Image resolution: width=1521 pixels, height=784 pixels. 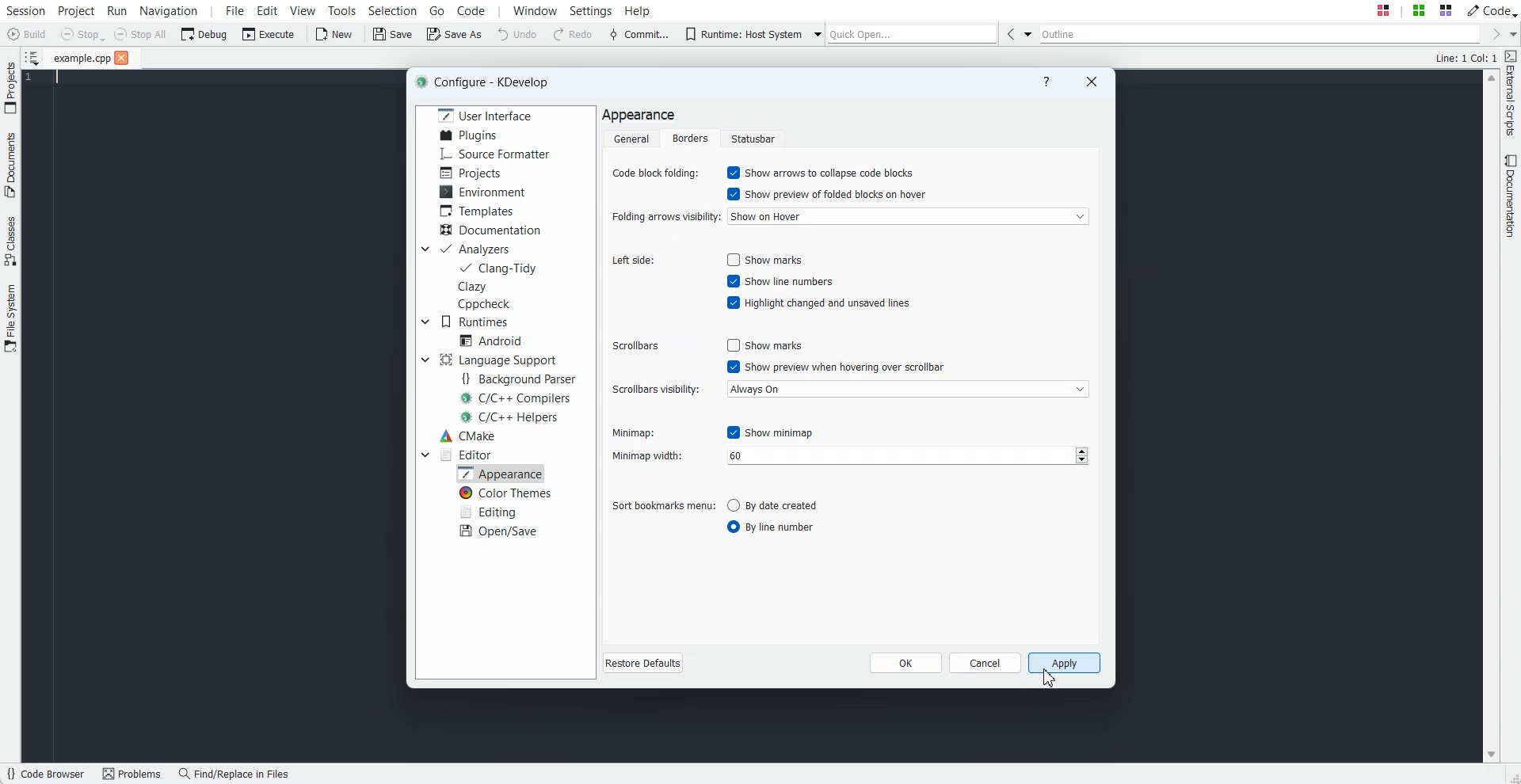 I want to click on Documentation, so click(x=490, y=229).